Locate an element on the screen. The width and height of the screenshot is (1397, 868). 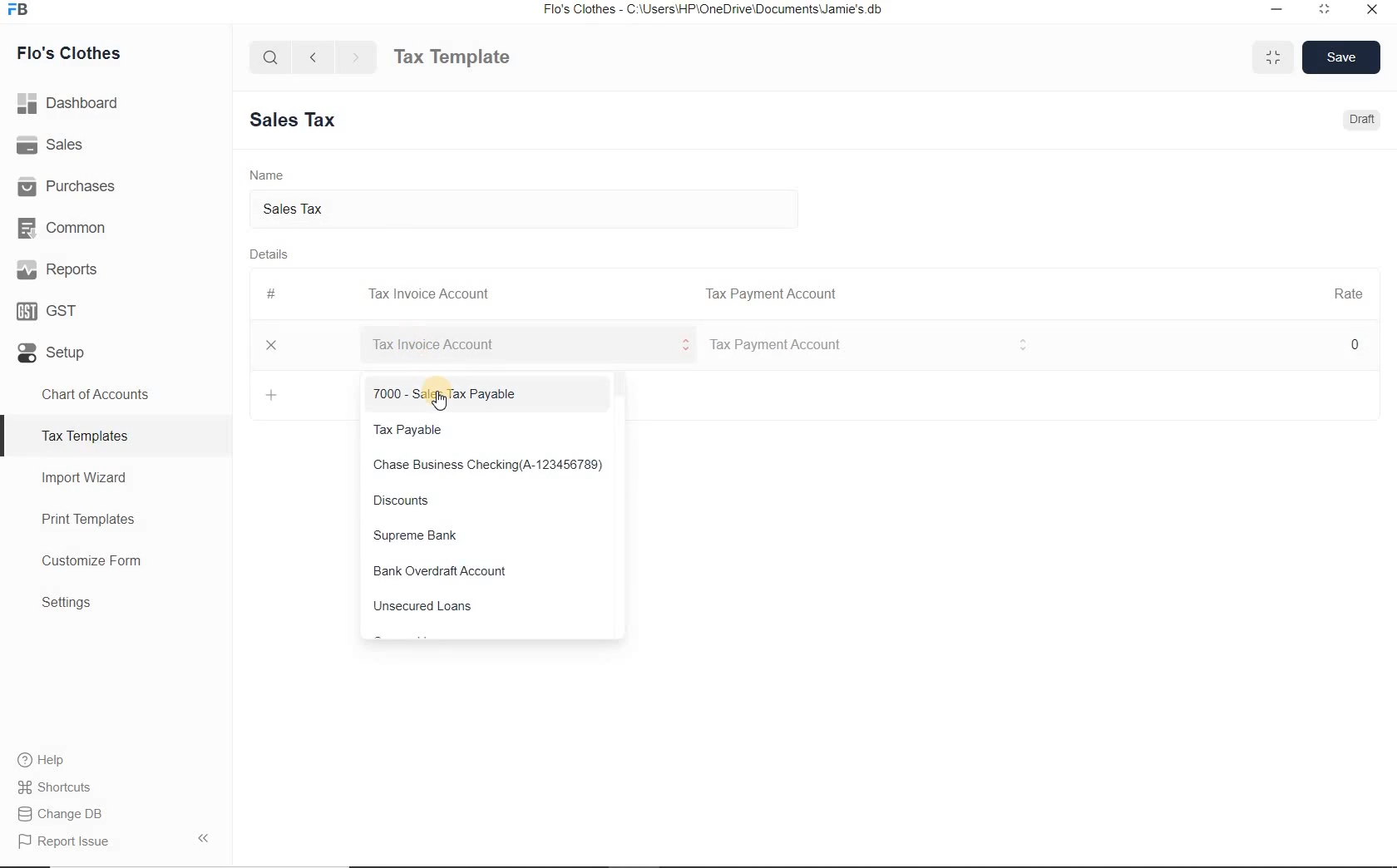
Tax Payable is located at coordinates (491, 432).